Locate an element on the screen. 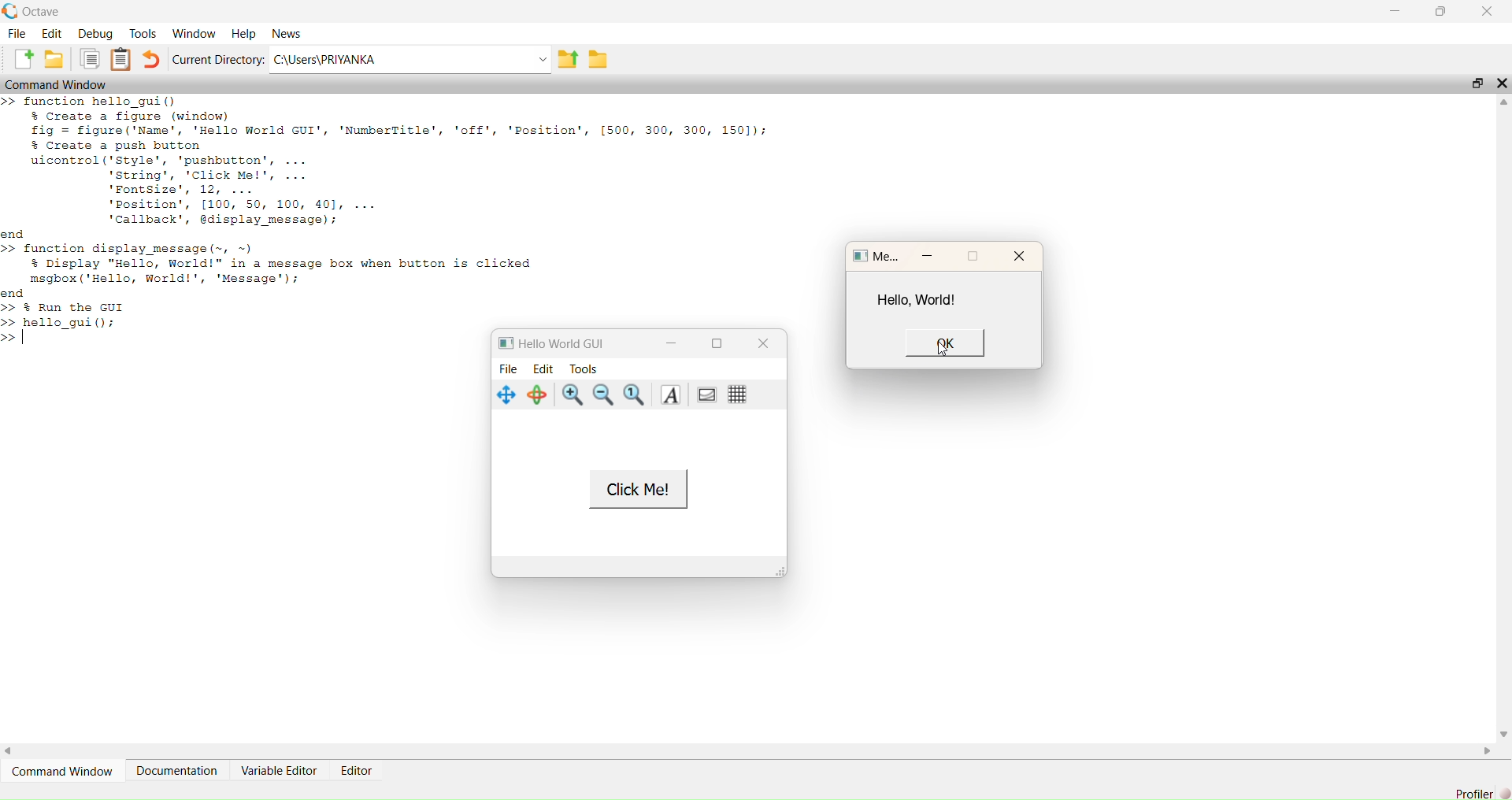 The width and height of the screenshot is (1512, 800). Documentation is located at coordinates (177, 769).